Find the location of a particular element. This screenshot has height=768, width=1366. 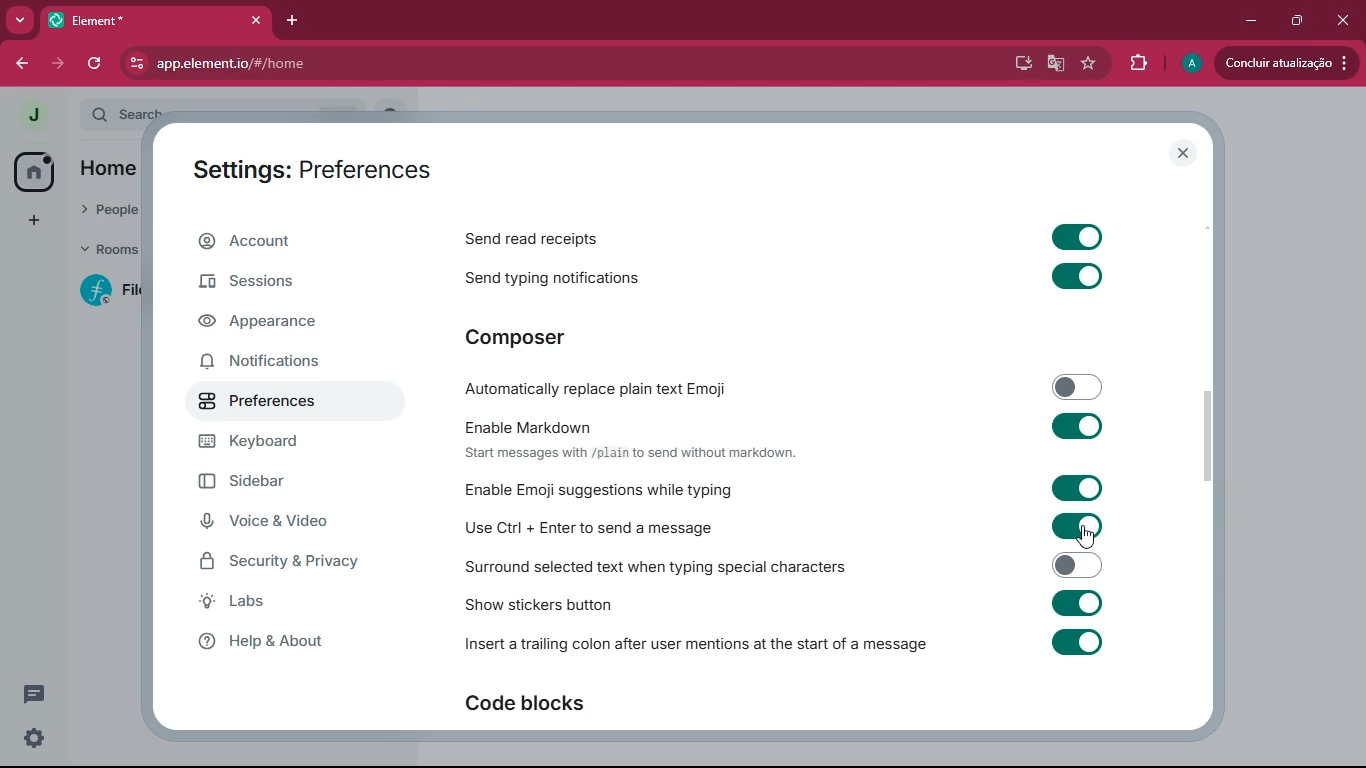

labs is located at coordinates (283, 602).